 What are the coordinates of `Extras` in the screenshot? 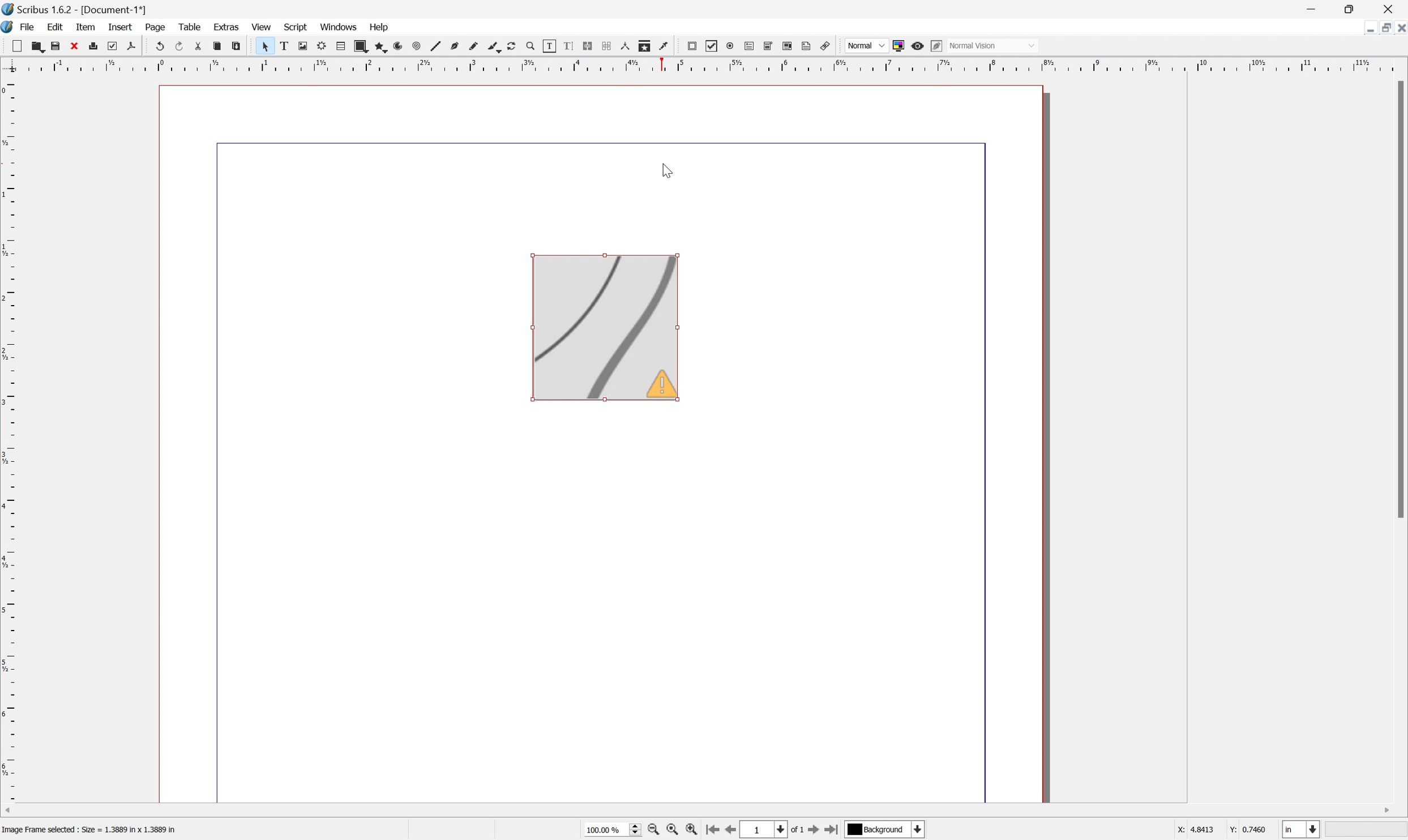 It's located at (228, 26).